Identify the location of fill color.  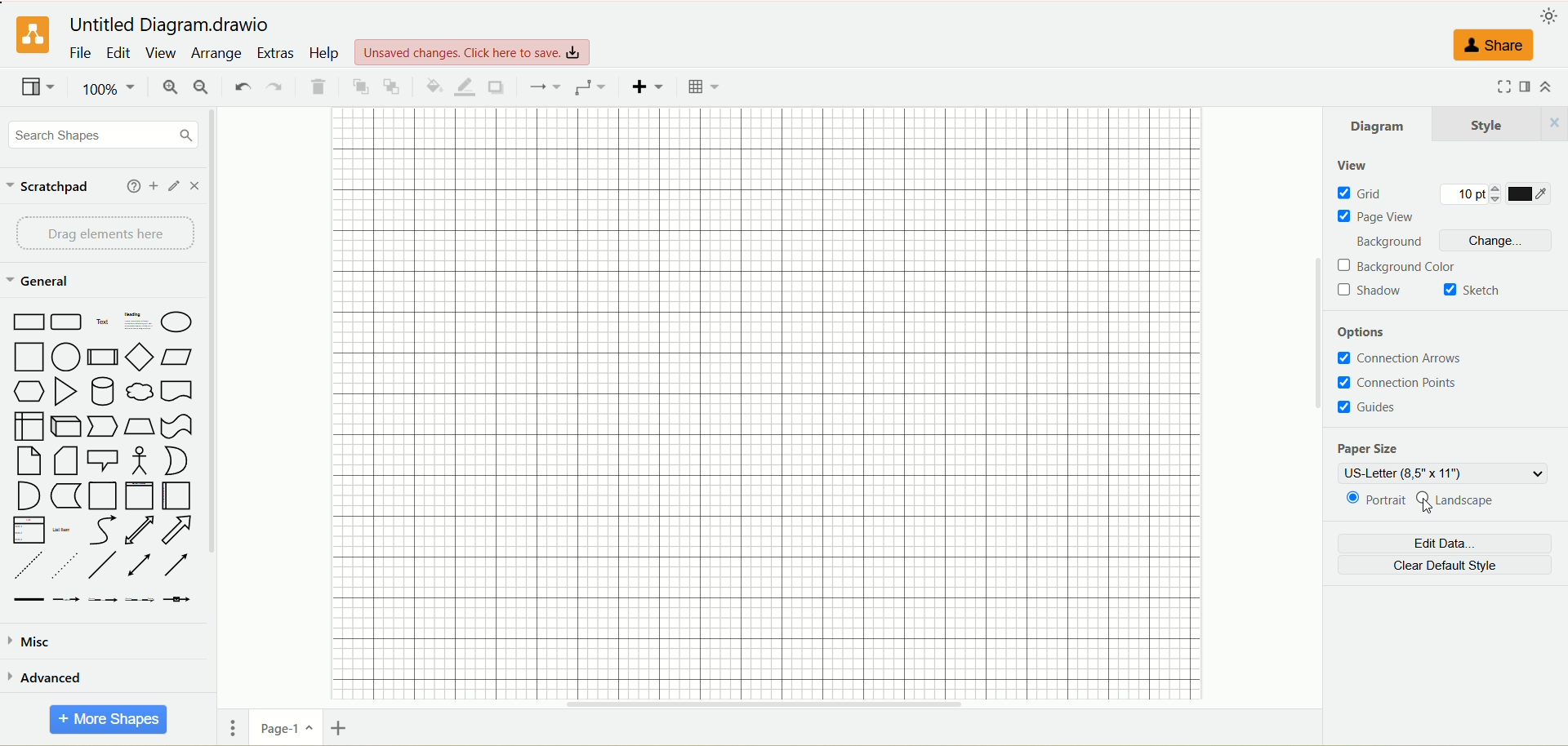
(431, 85).